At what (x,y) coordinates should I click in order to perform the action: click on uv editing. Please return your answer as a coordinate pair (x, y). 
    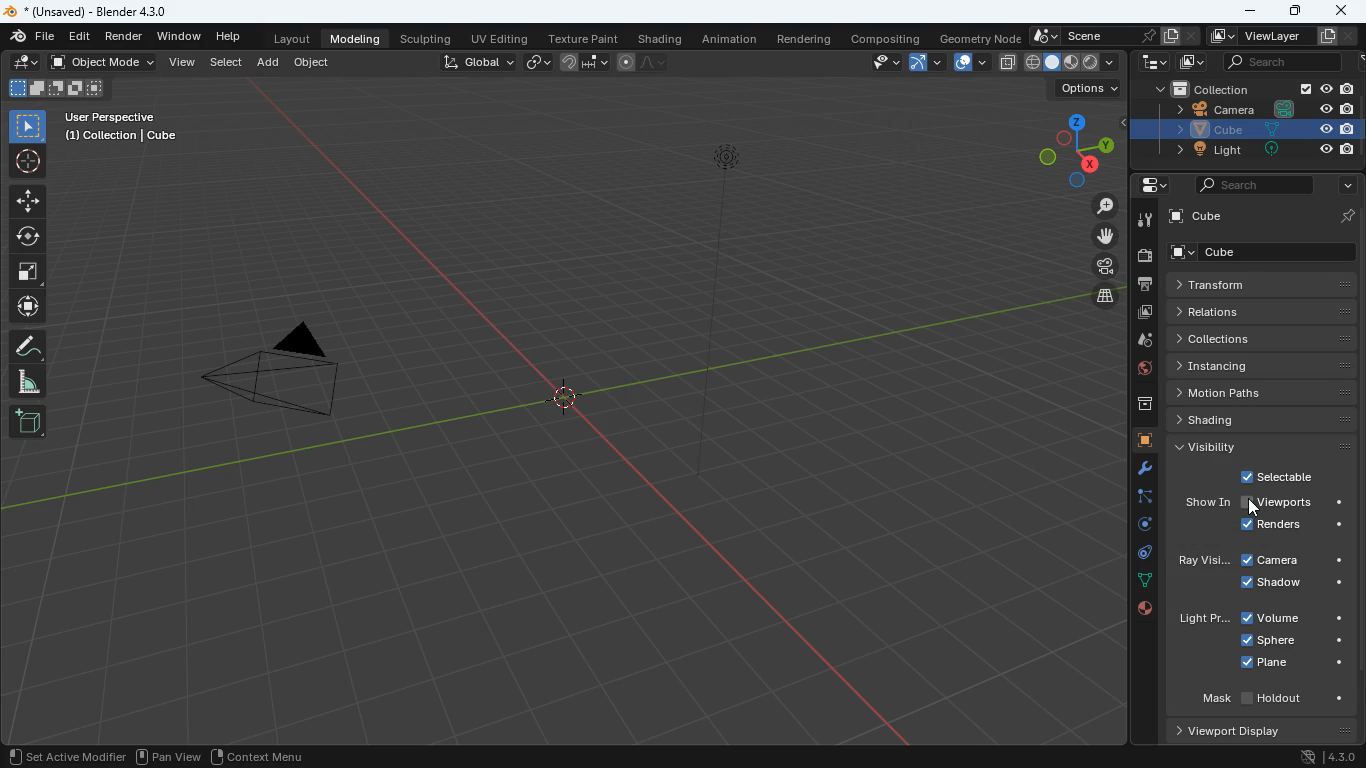
    Looking at the image, I should click on (500, 38).